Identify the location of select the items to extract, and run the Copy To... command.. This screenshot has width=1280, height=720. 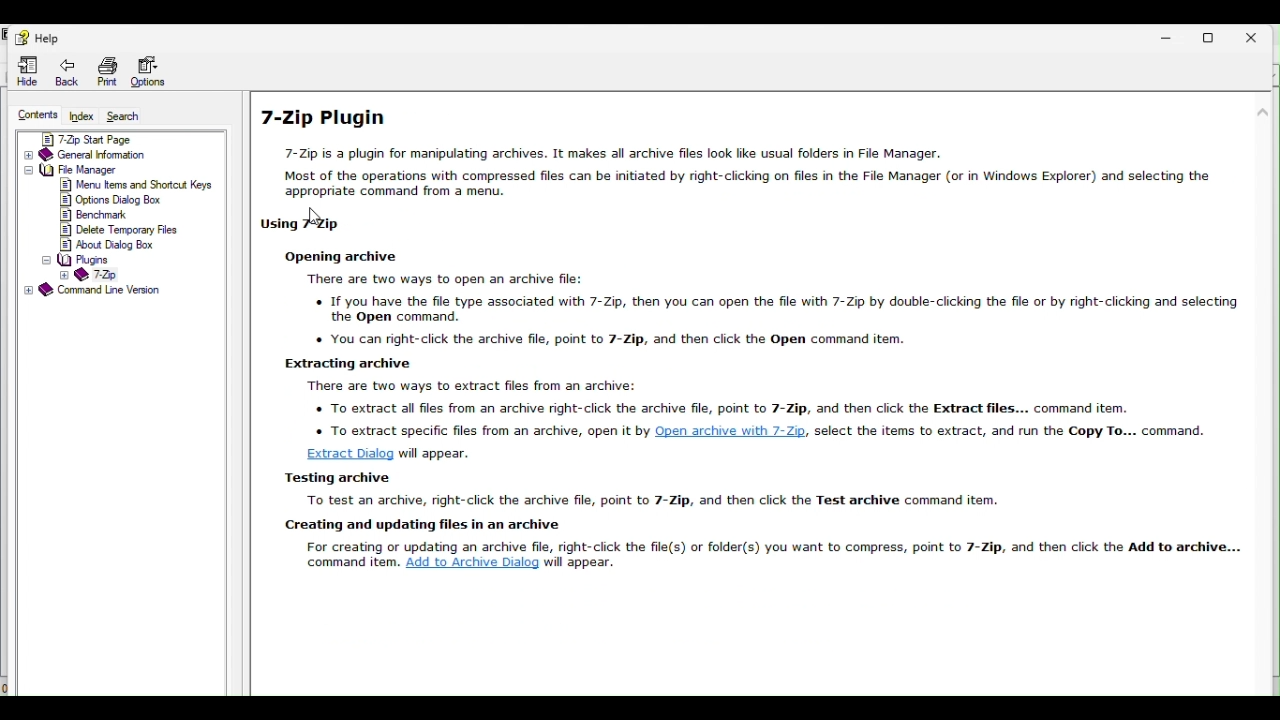
(1011, 431).